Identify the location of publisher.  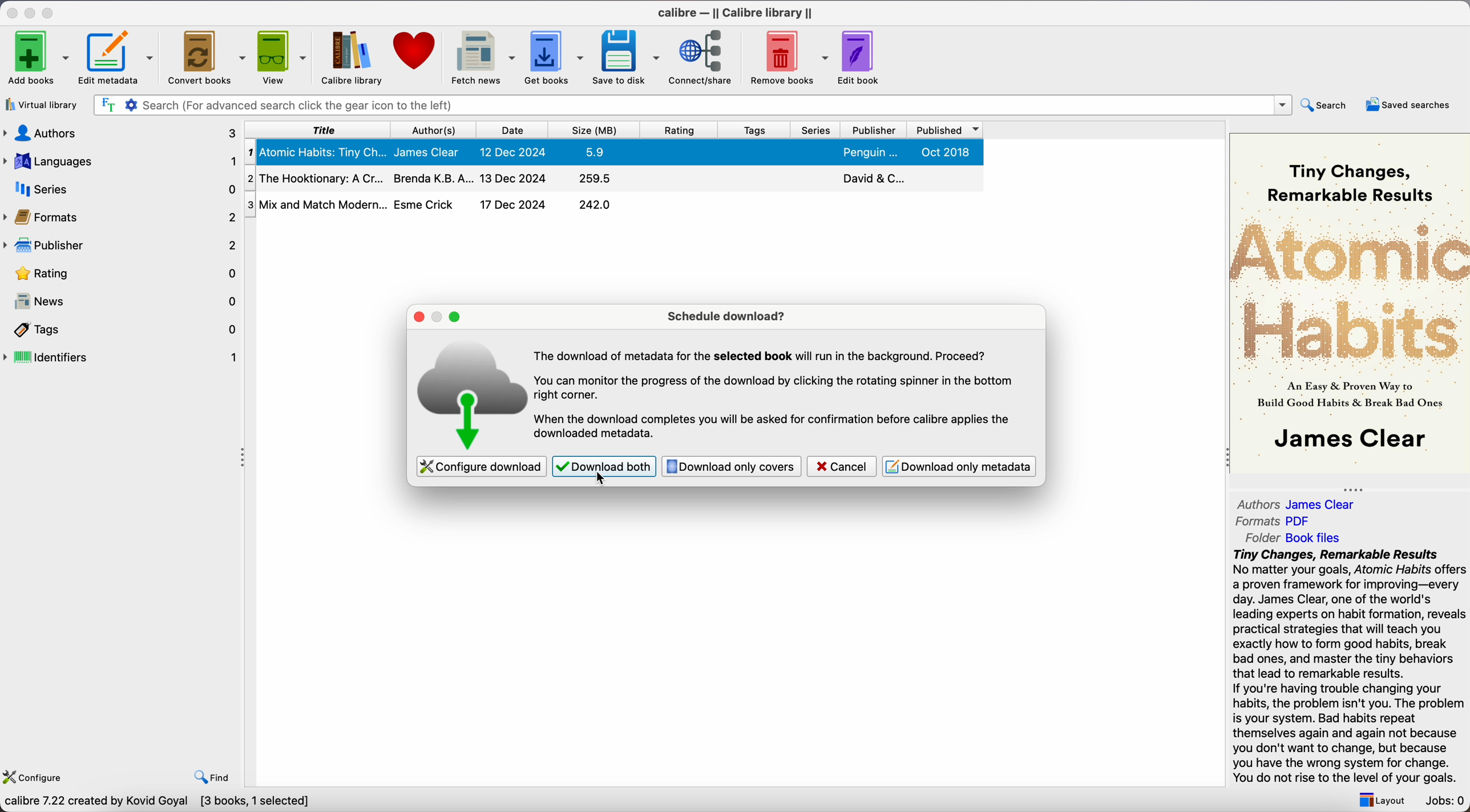
(873, 130).